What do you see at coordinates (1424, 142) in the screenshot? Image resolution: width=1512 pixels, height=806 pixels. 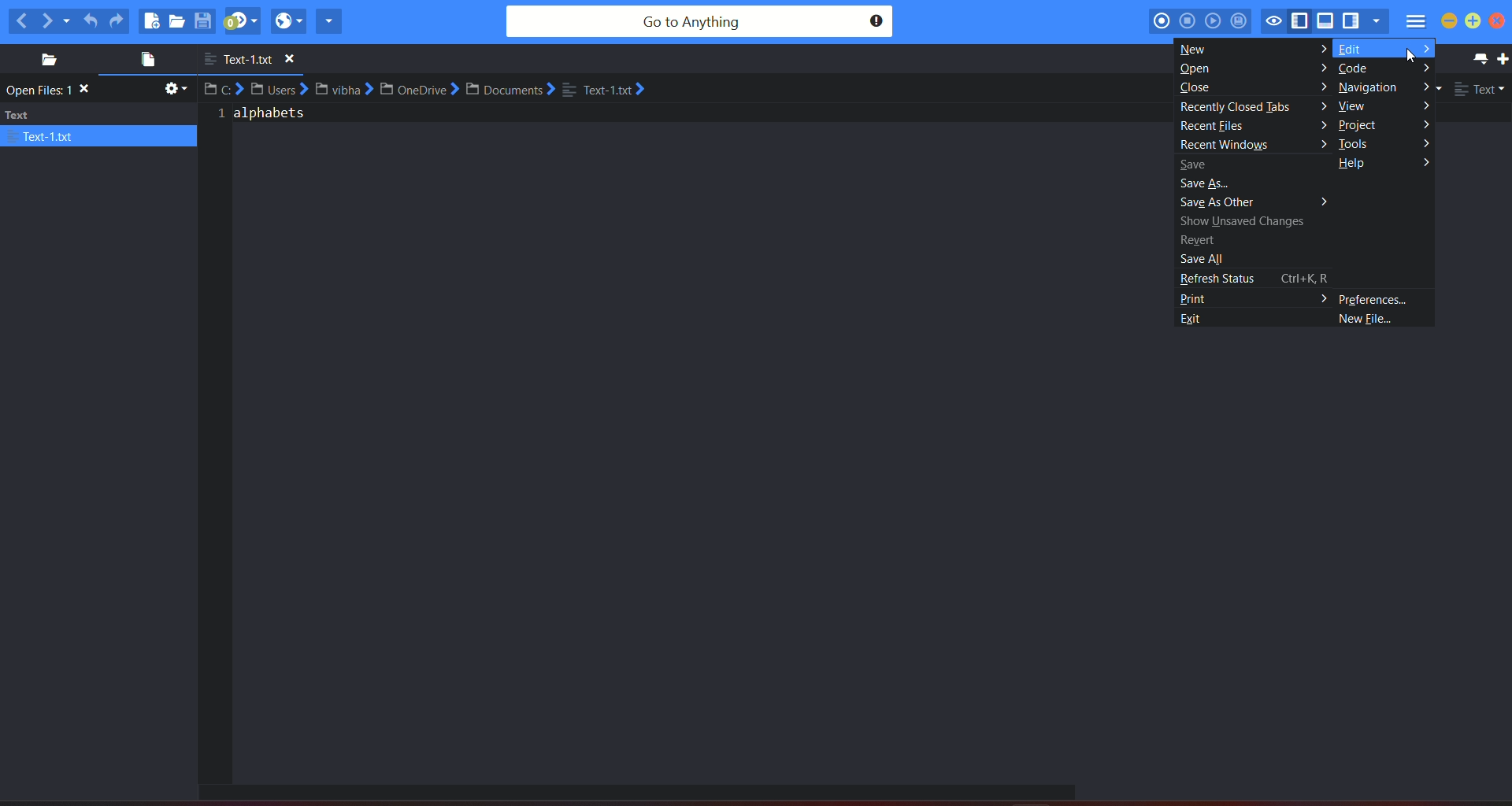 I see `More` at bounding box center [1424, 142].